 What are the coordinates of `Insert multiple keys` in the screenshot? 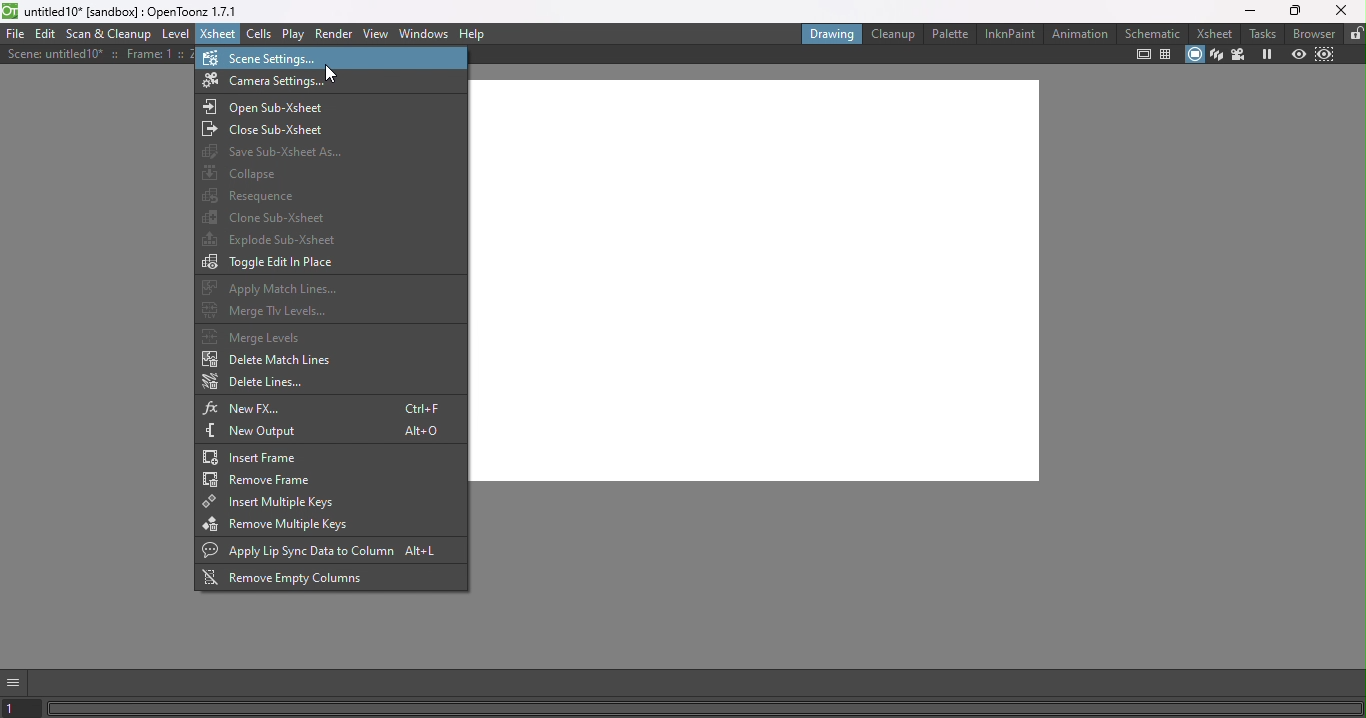 It's located at (272, 503).